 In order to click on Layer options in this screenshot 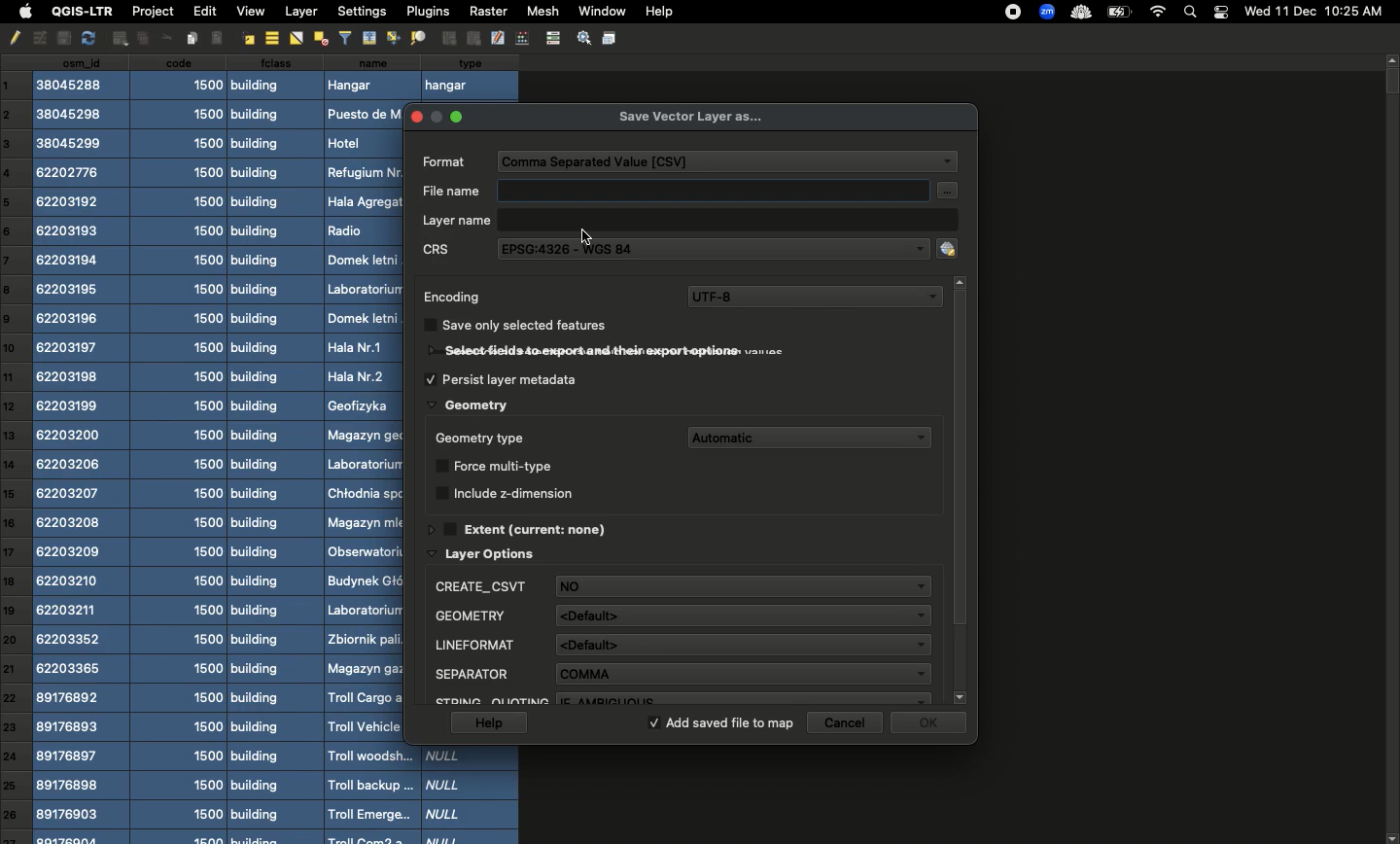, I will do `click(494, 551)`.